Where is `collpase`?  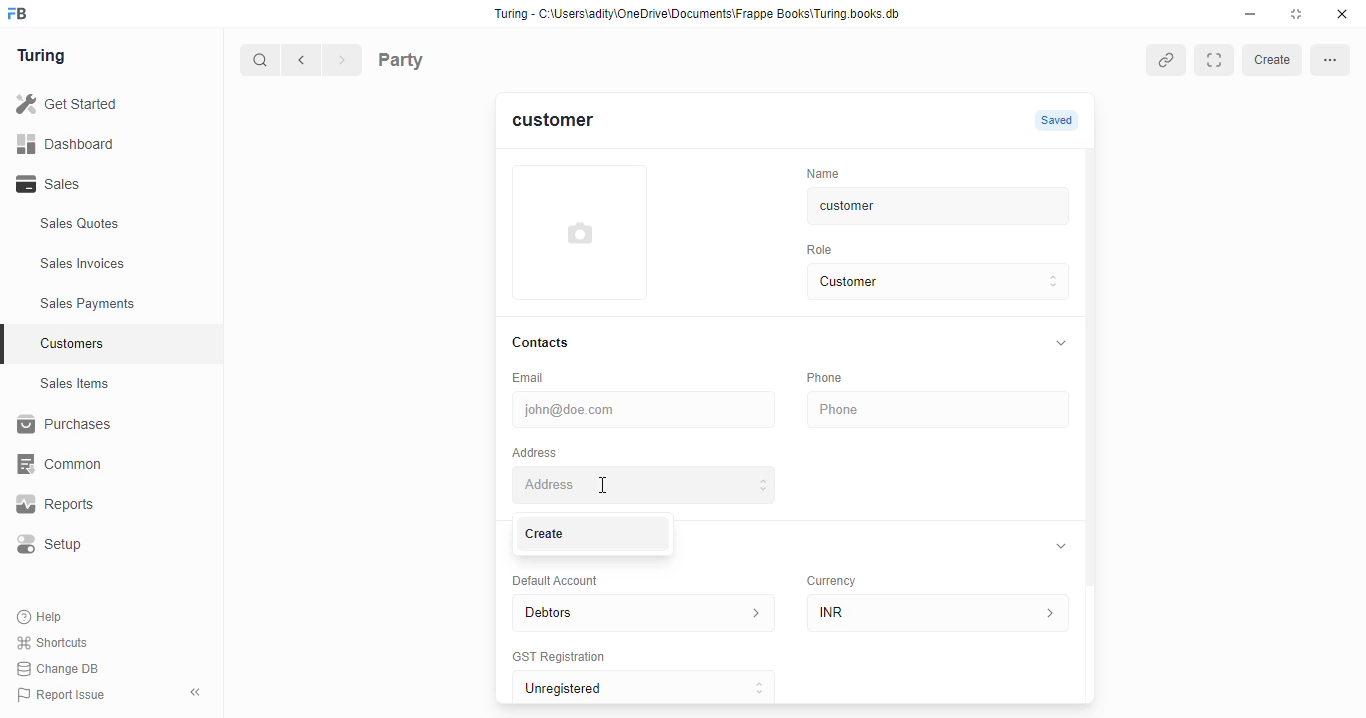 collpase is located at coordinates (195, 692).